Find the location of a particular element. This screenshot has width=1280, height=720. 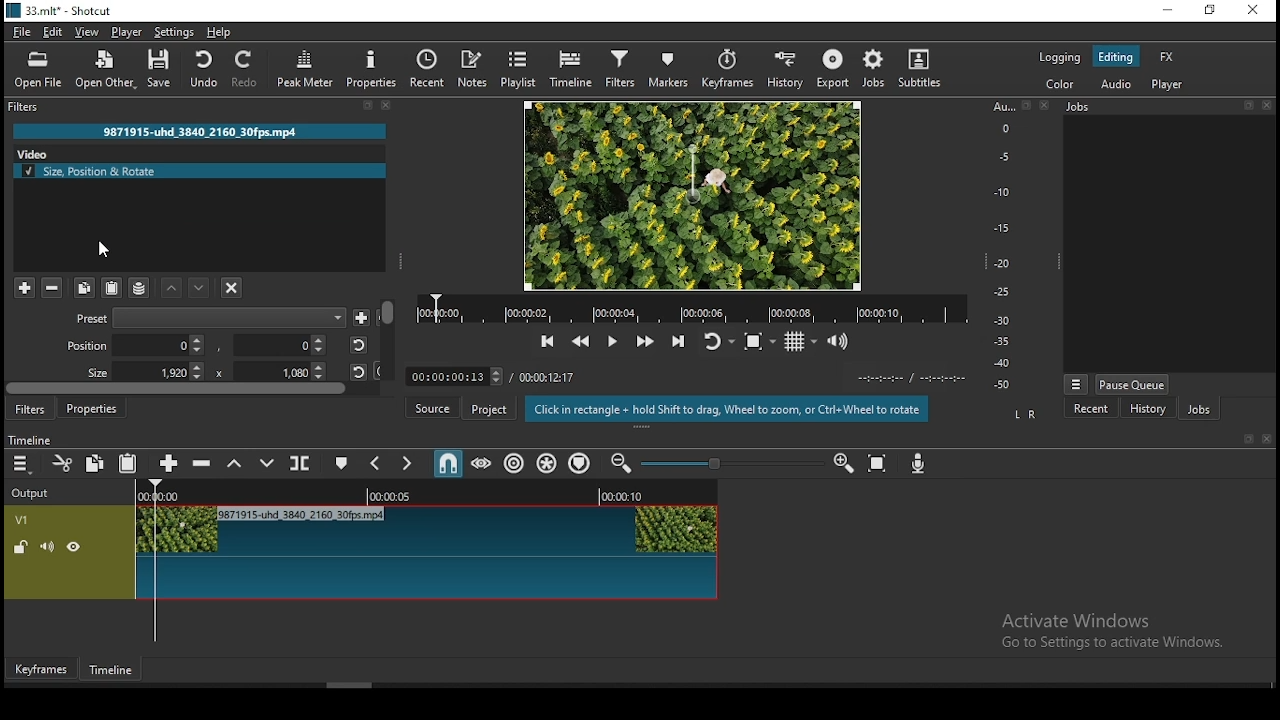

size position and rotate is located at coordinates (199, 171).